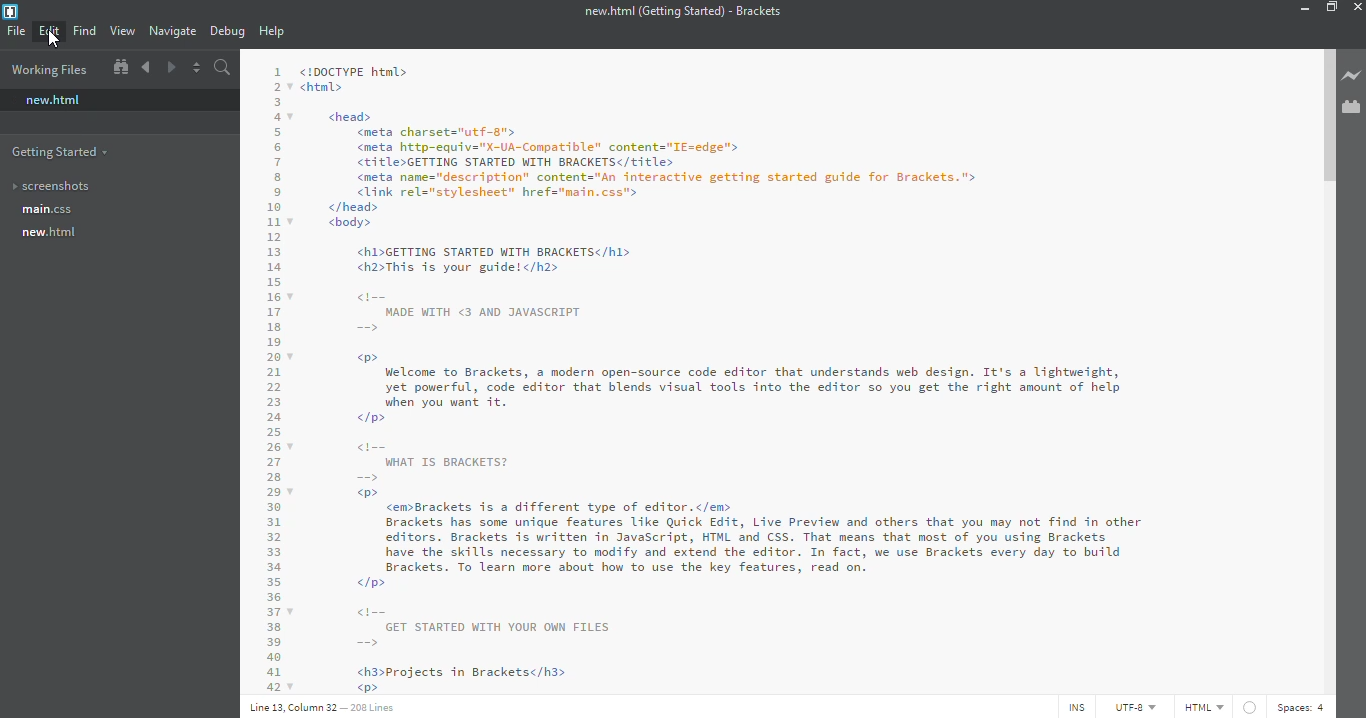  I want to click on new.html (Getting Started) - Brackets, so click(683, 11).